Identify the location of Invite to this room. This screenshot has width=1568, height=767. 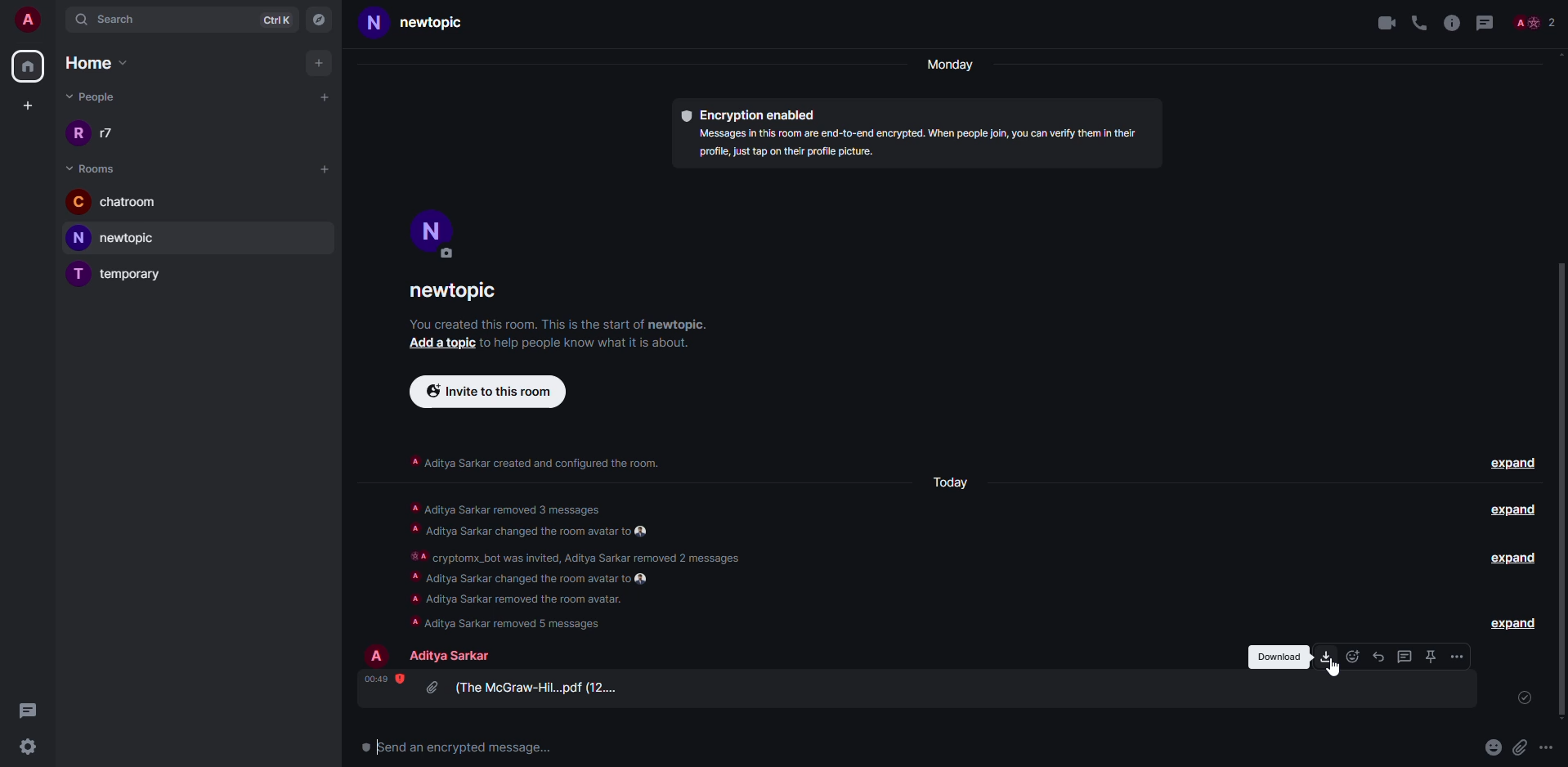
(491, 393).